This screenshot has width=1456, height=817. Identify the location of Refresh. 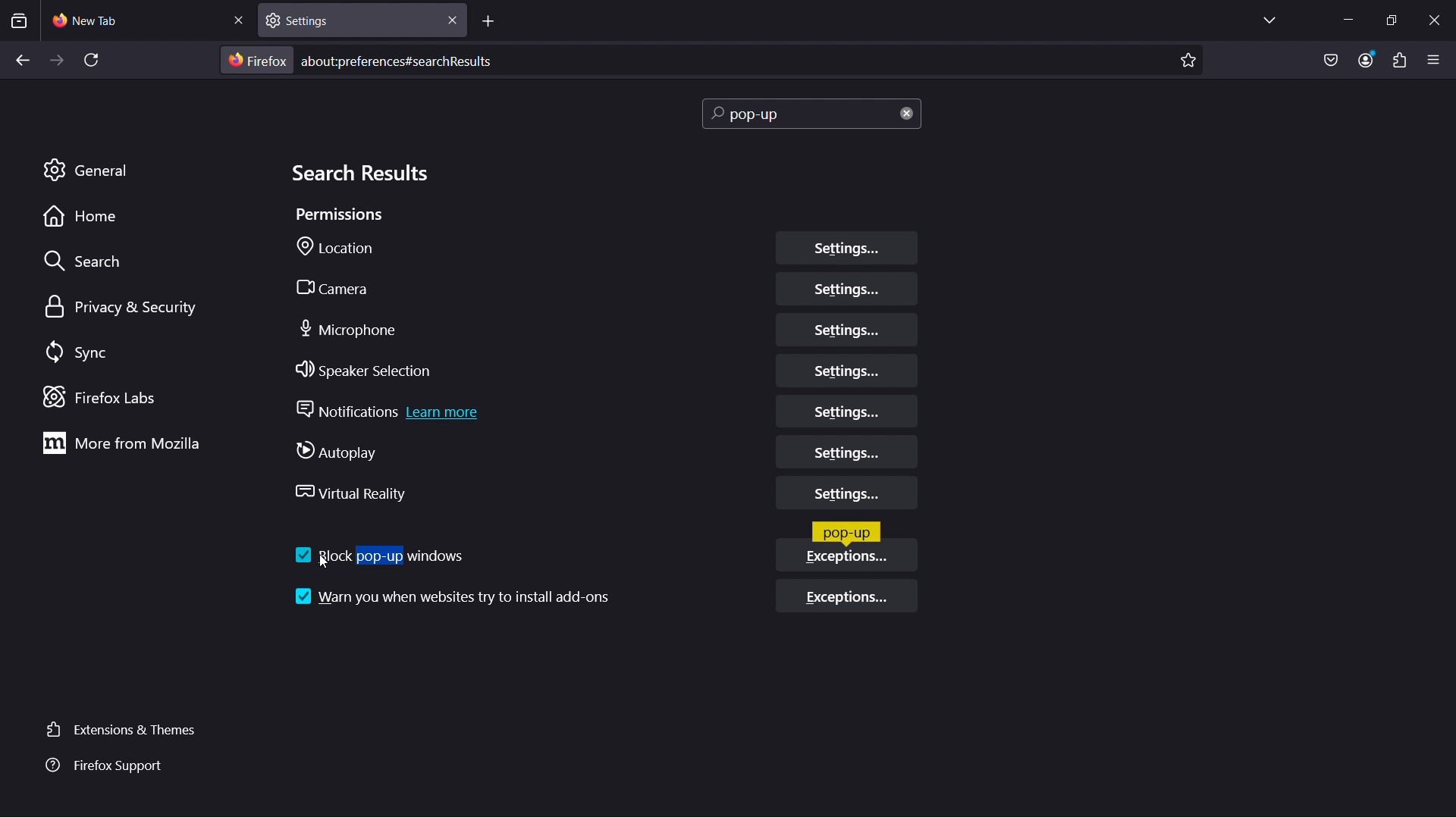
(98, 61).